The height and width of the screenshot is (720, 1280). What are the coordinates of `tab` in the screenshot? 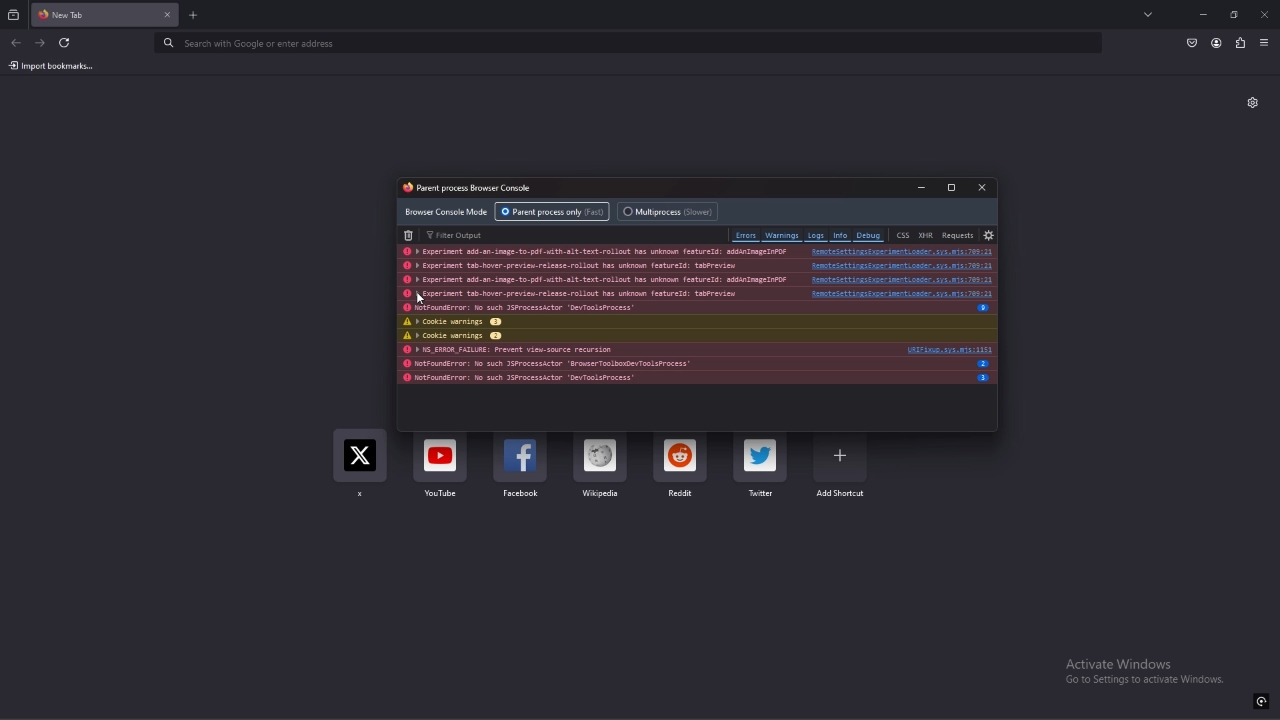 It's located at (85, 15).